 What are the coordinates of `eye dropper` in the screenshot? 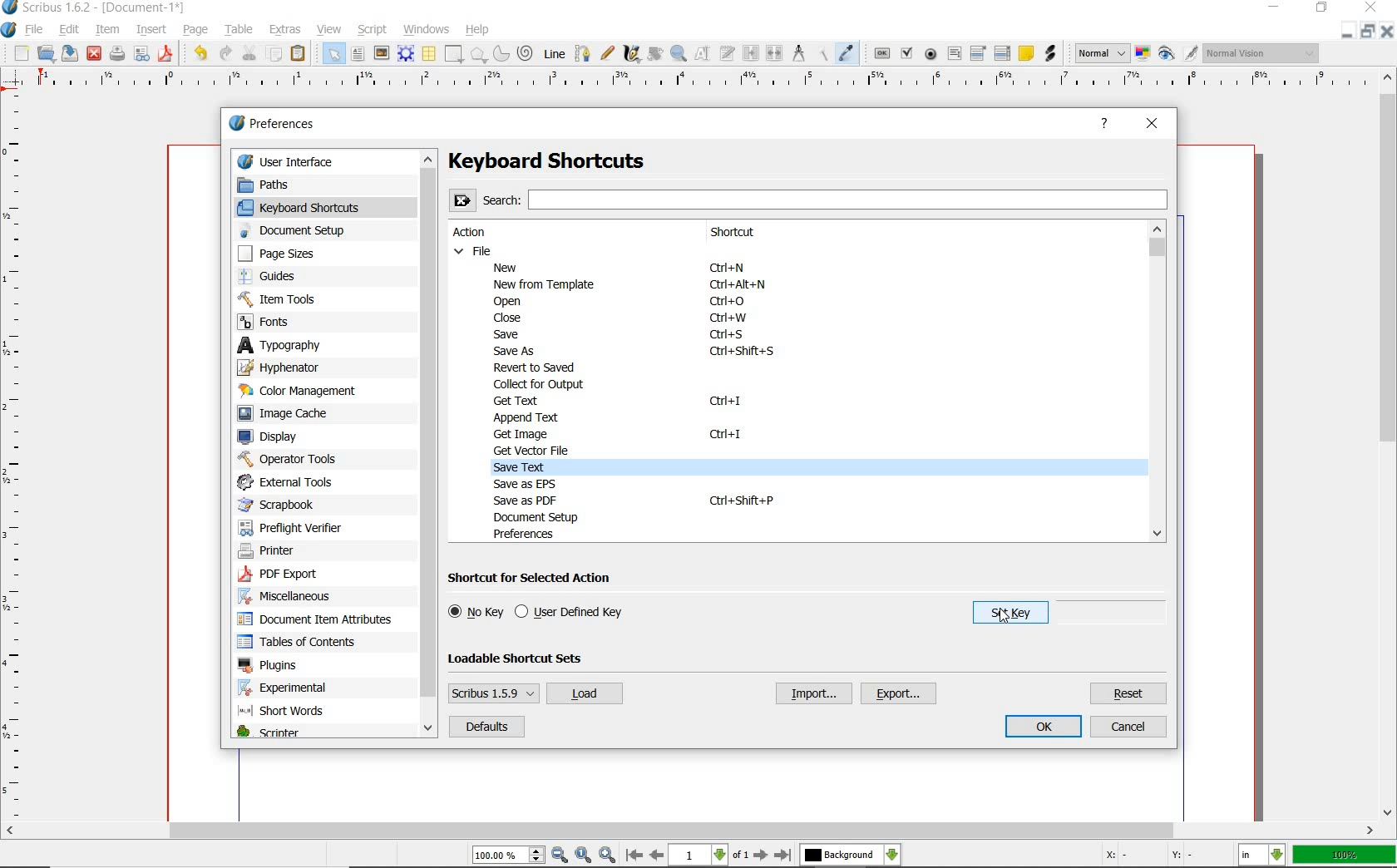 It's located at (847, 52).